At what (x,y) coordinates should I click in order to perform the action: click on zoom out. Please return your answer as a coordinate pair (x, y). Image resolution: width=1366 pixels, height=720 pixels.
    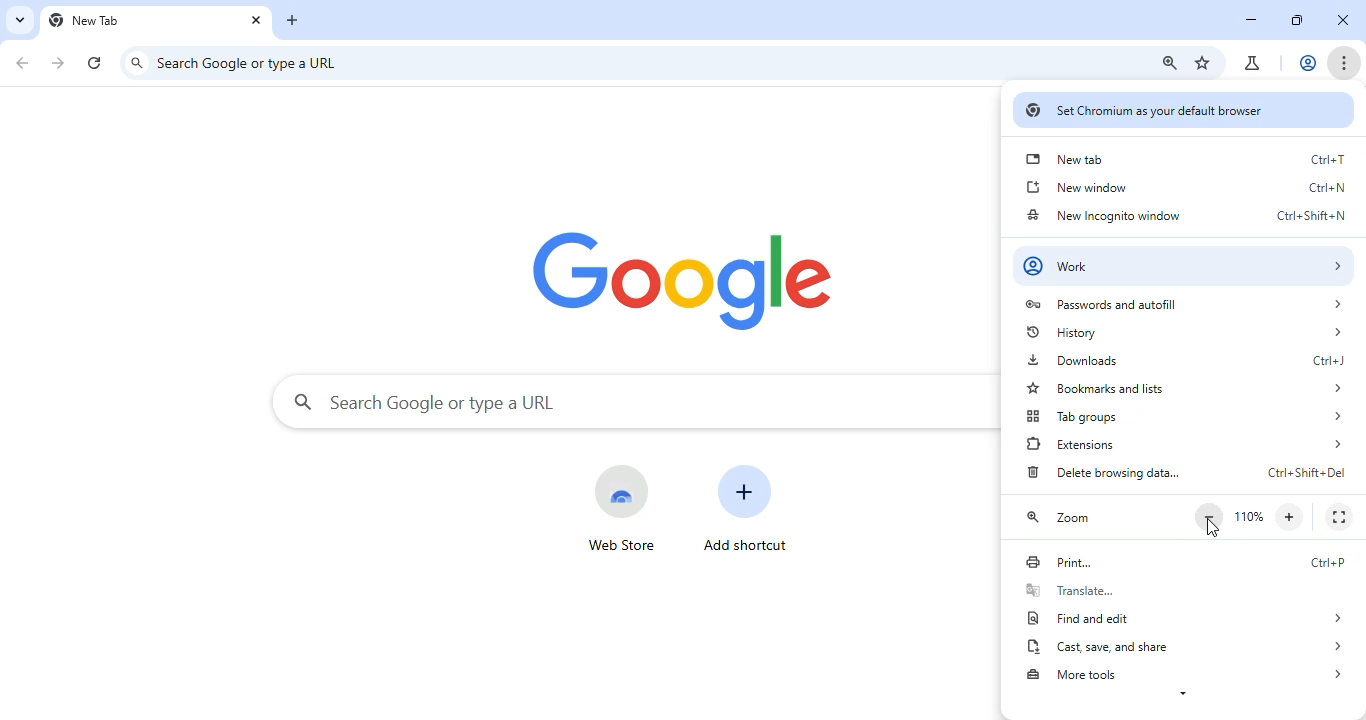
    Looking at the image, I should click on (1210, 516).